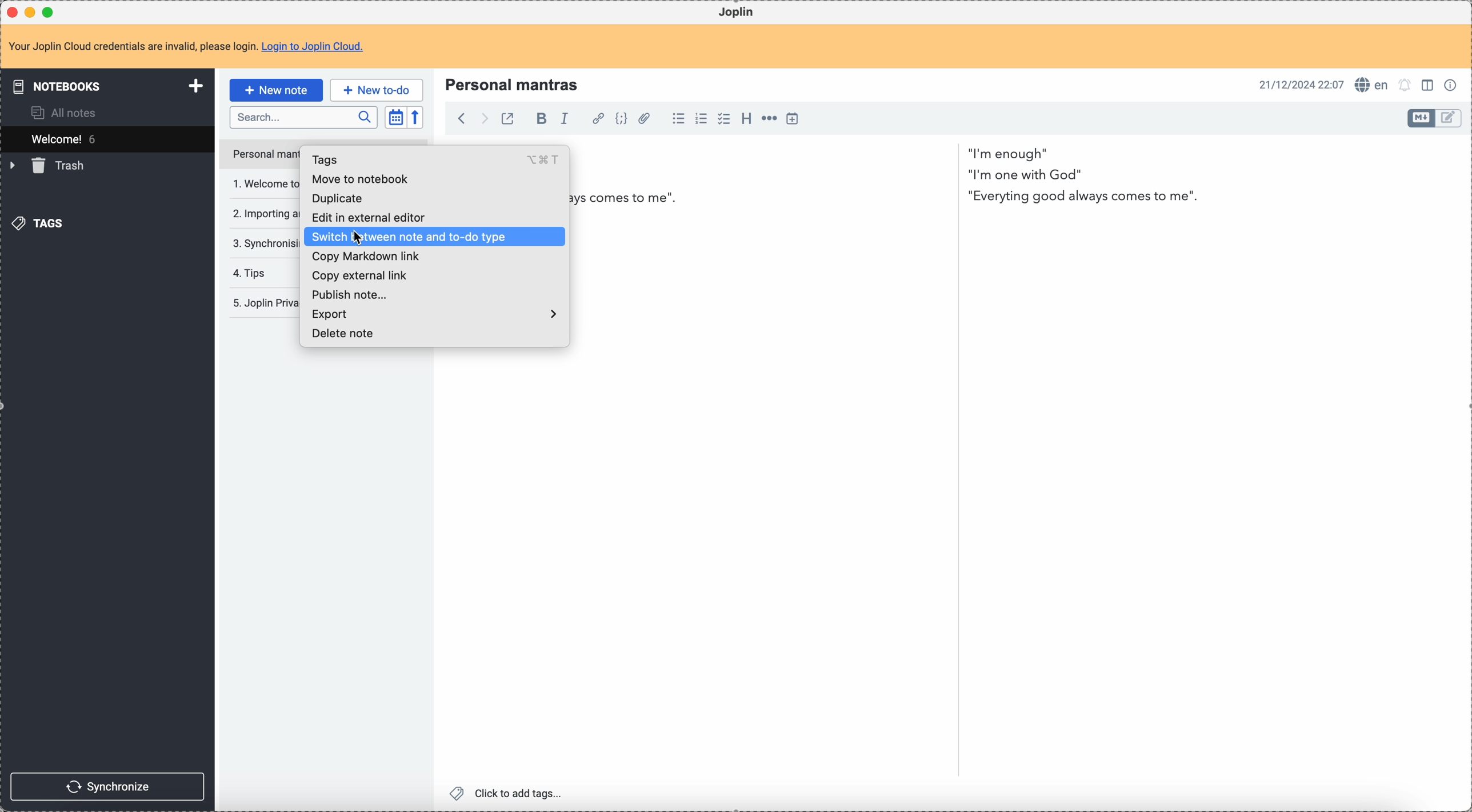  Describe the element at coordinates (107, 139) in the screenshot. I see `welcome` at that location.